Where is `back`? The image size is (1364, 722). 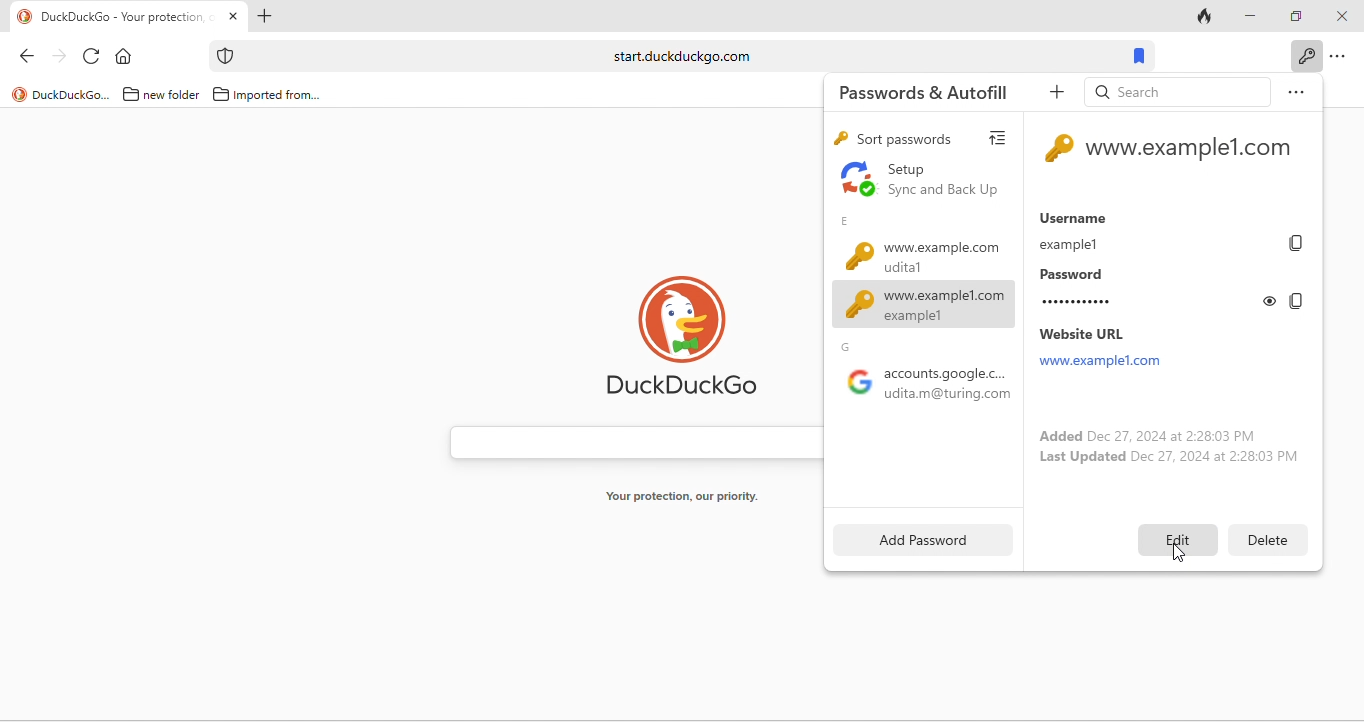 back is located at coordinates (21, 54).